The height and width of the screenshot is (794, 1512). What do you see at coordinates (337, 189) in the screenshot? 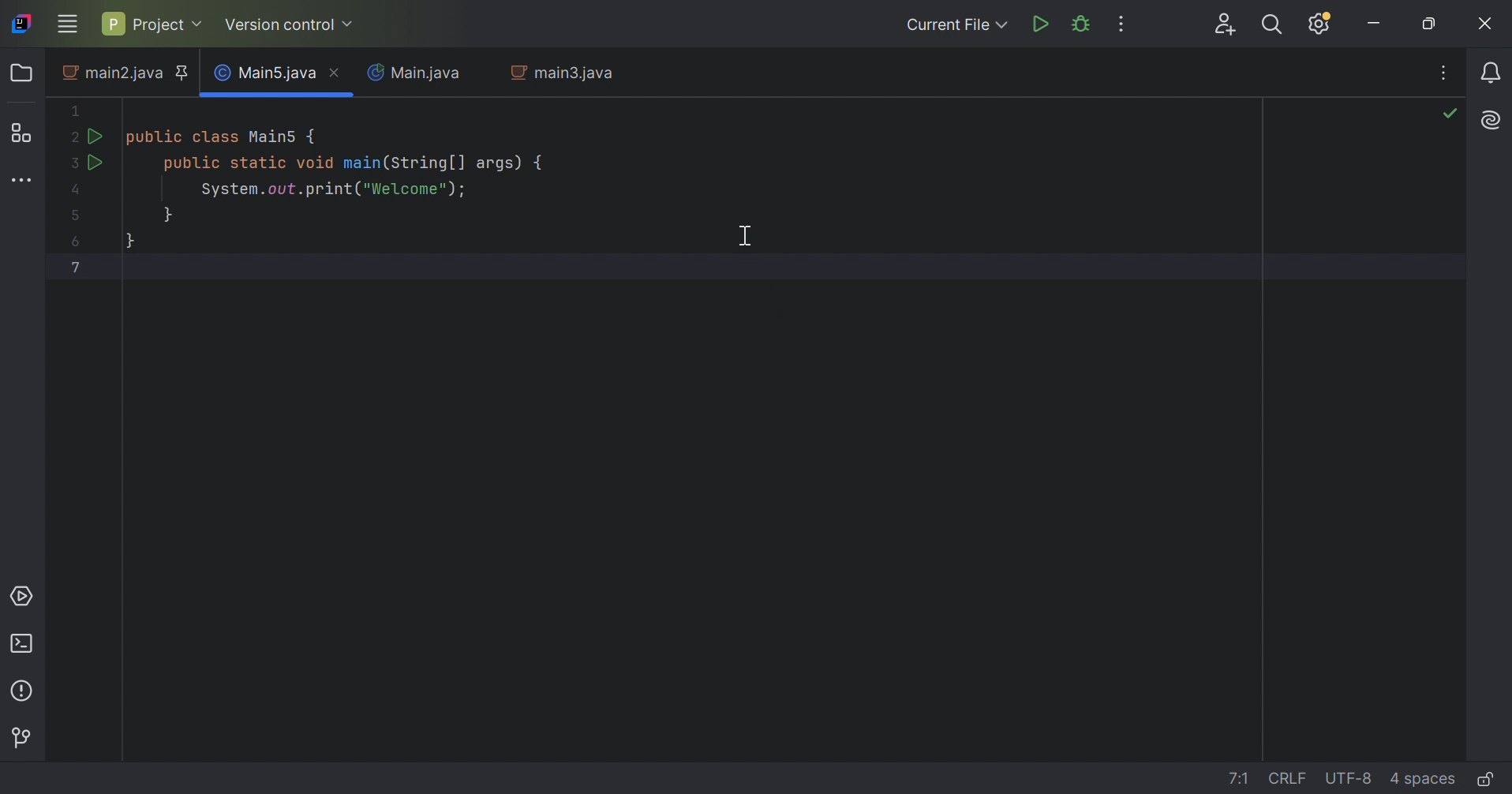
I see `System.out.print("Welcome");` at bounding box center [337, 189].